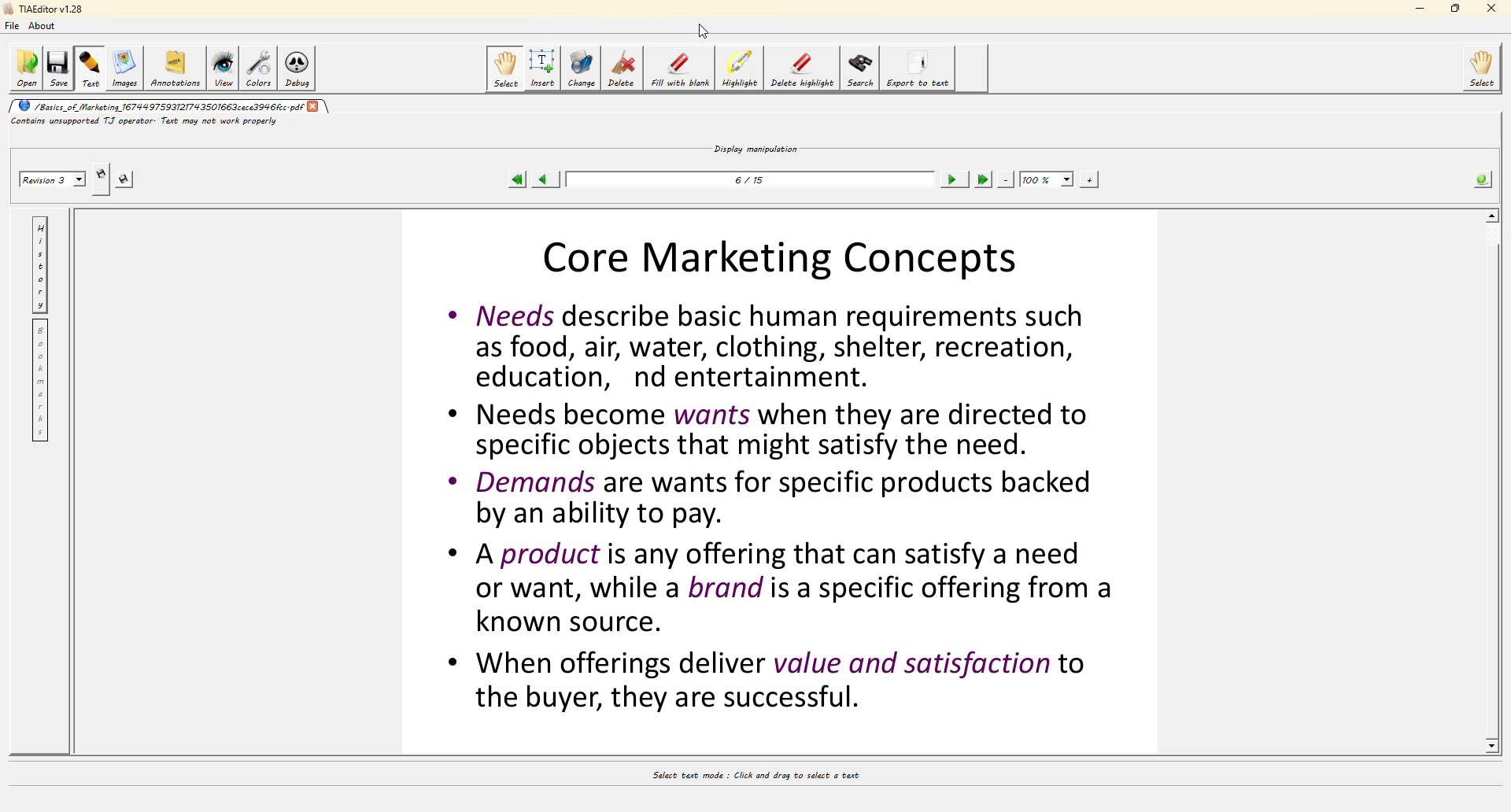 Image resolution: width=1511 pixels, height=812 pixels. I want to click on delete, so click(624, 67).